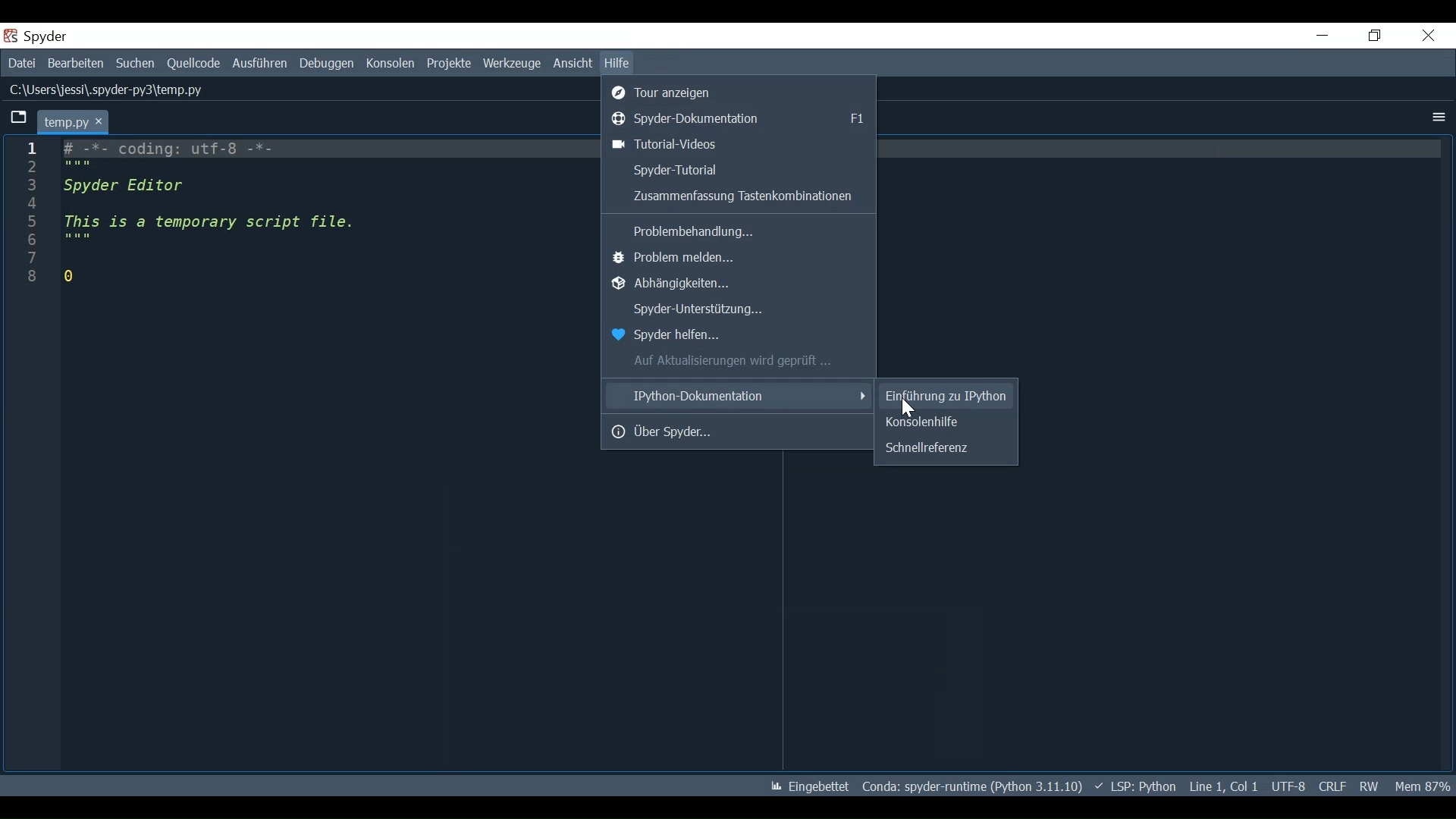  What do you see at coordinates (739, 431) in the screenshot?
I see `About Spyder` at bounding box center [739, 431].